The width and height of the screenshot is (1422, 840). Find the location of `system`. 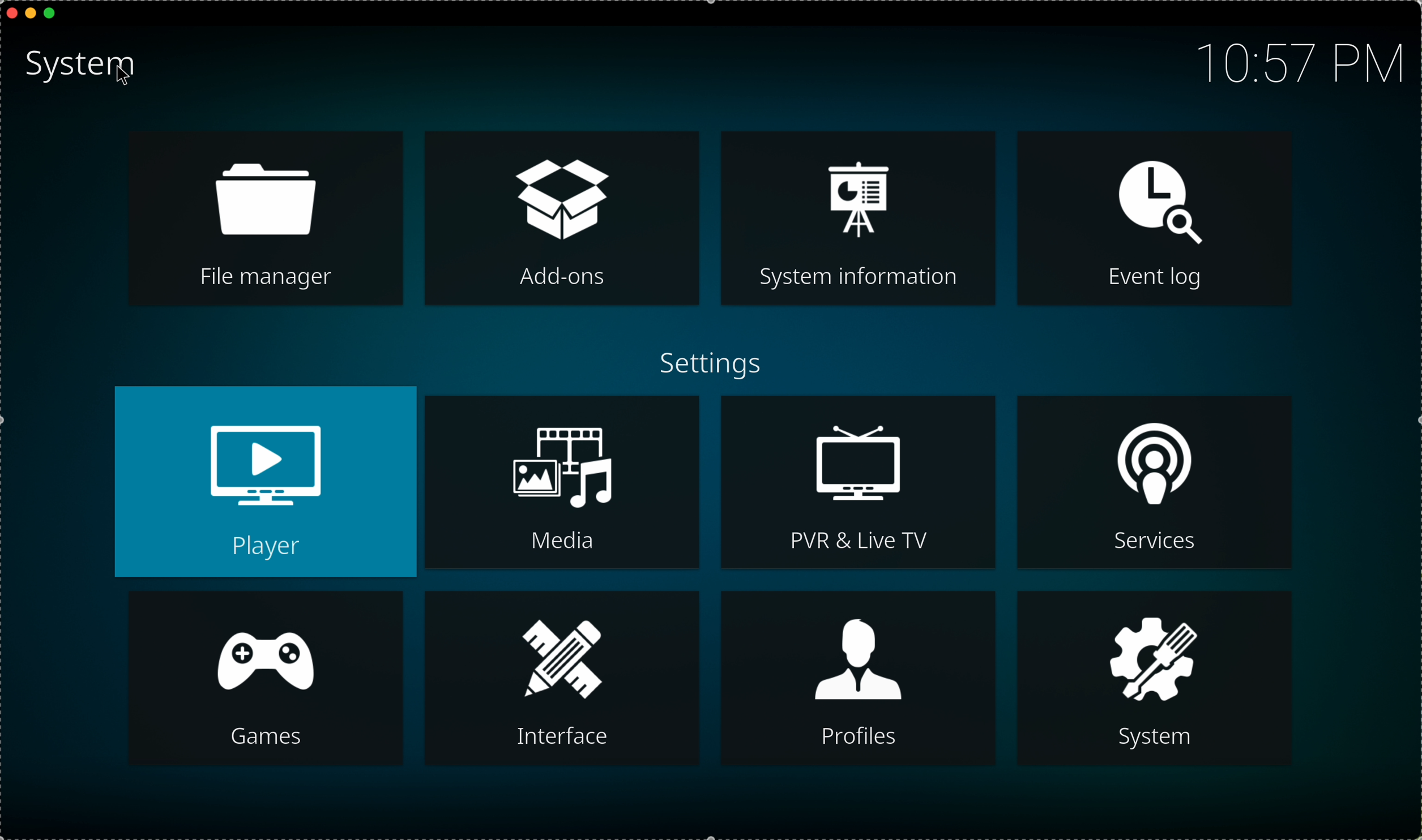

system is located at coordinates (83, 68).